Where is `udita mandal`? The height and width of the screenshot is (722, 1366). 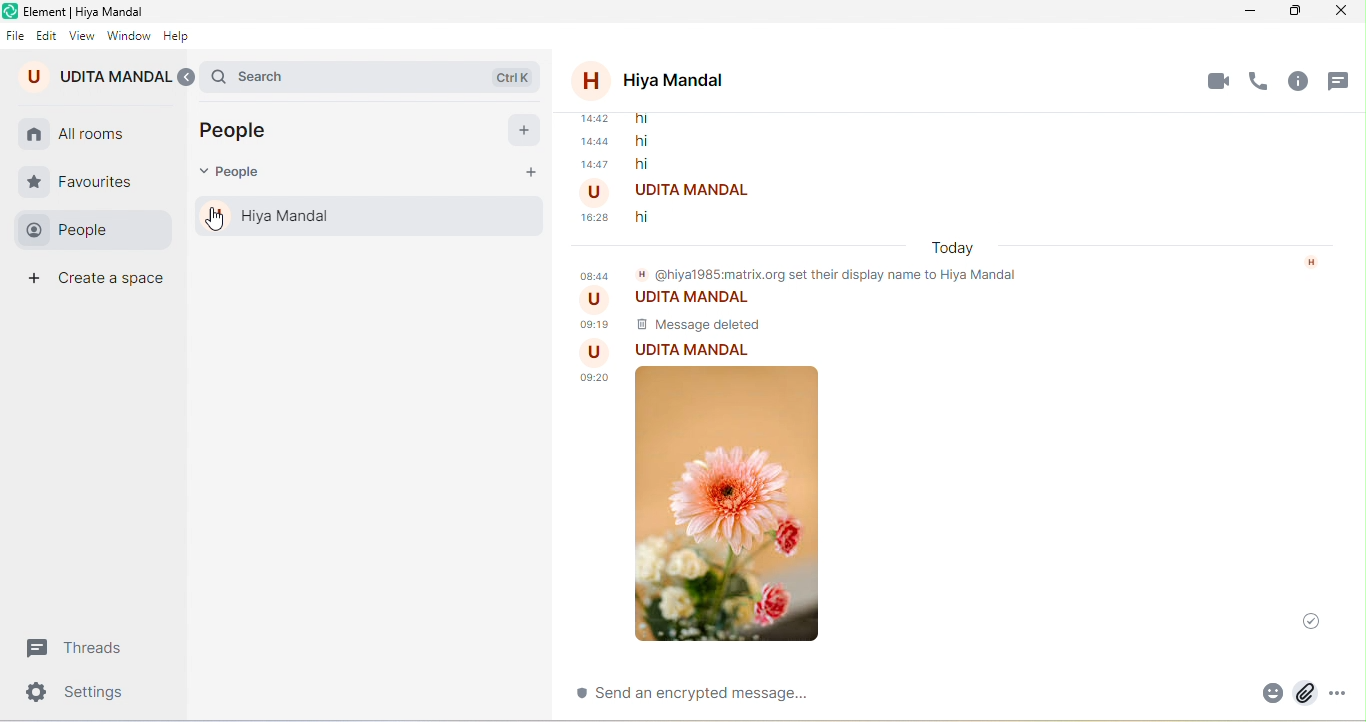
udita mandal is located at coordinates (96, 75).